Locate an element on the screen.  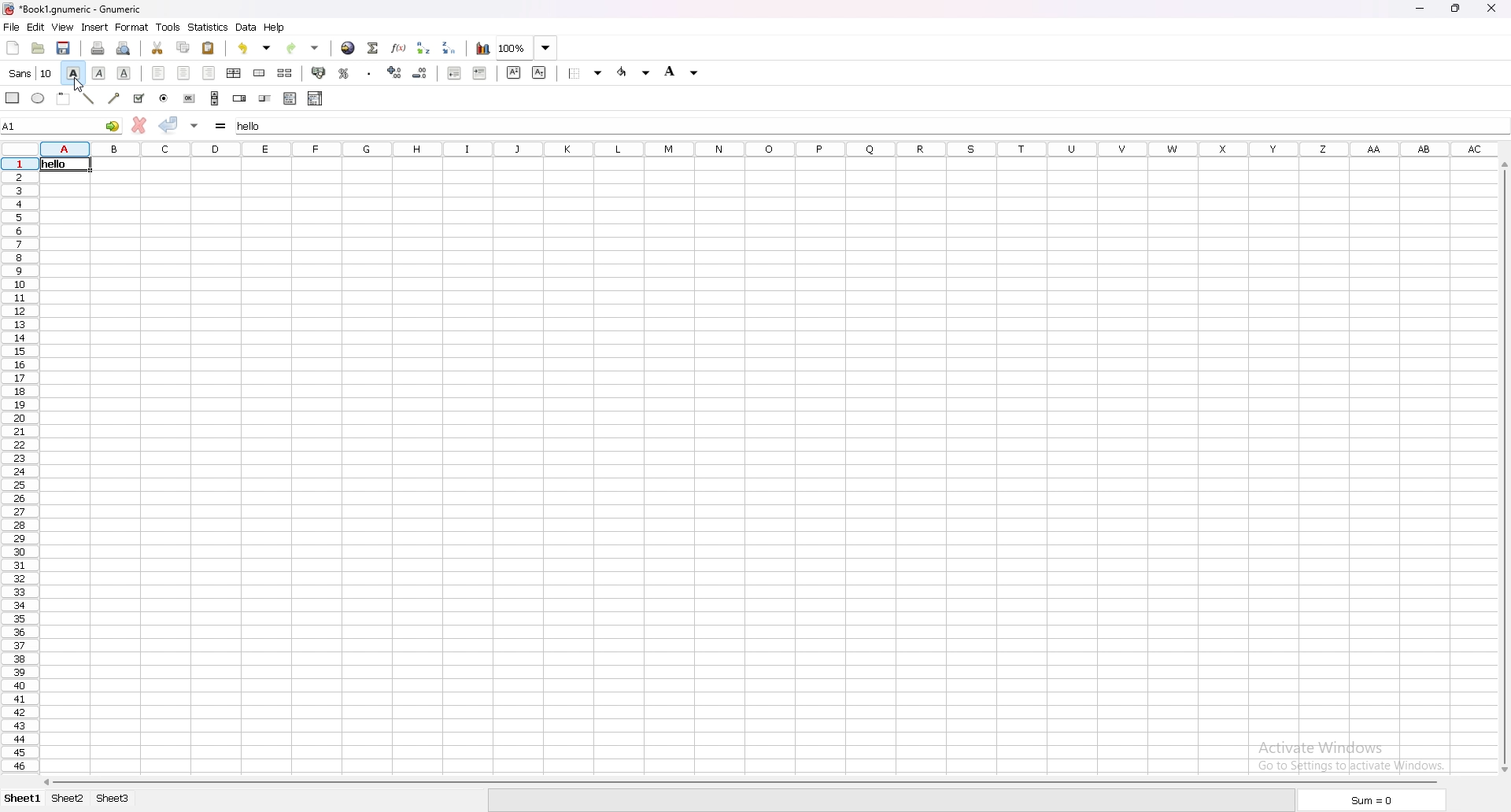
print preview is located at coordinates (123, 49).